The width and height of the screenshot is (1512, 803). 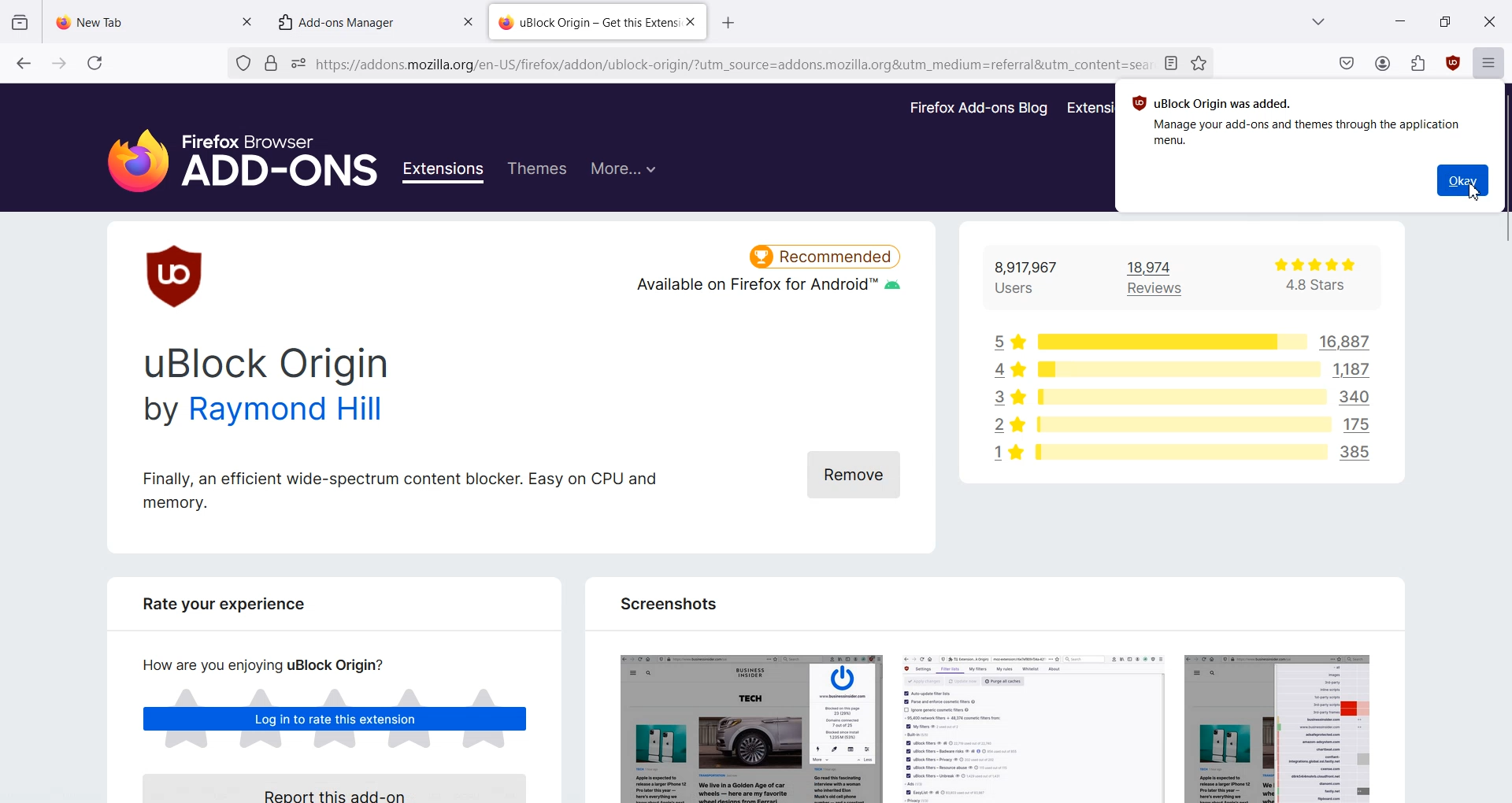 I want to click on Close tab, so click(x=468, y=22).